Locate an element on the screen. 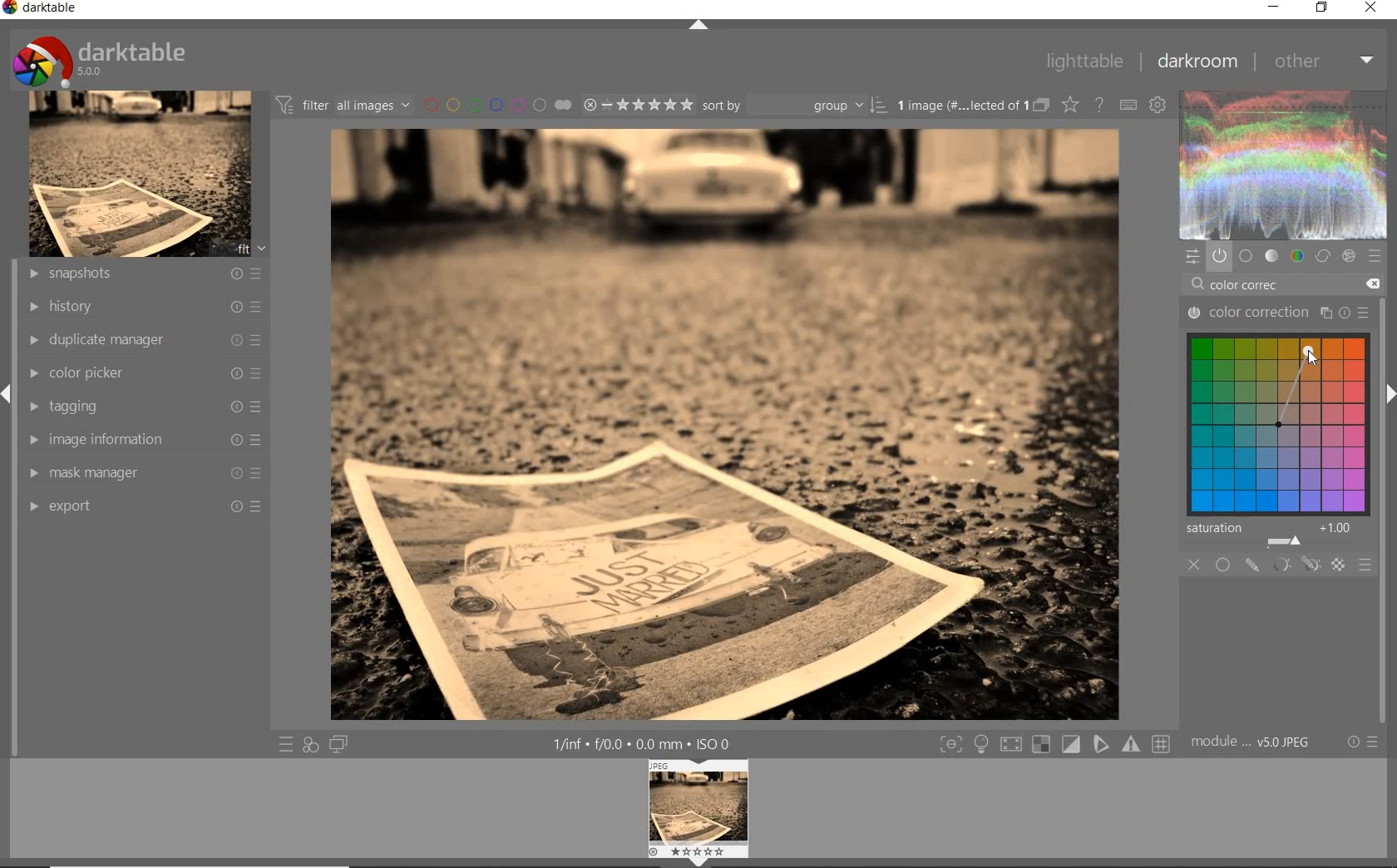  quick access to preset is located at coordinates (286, 742).